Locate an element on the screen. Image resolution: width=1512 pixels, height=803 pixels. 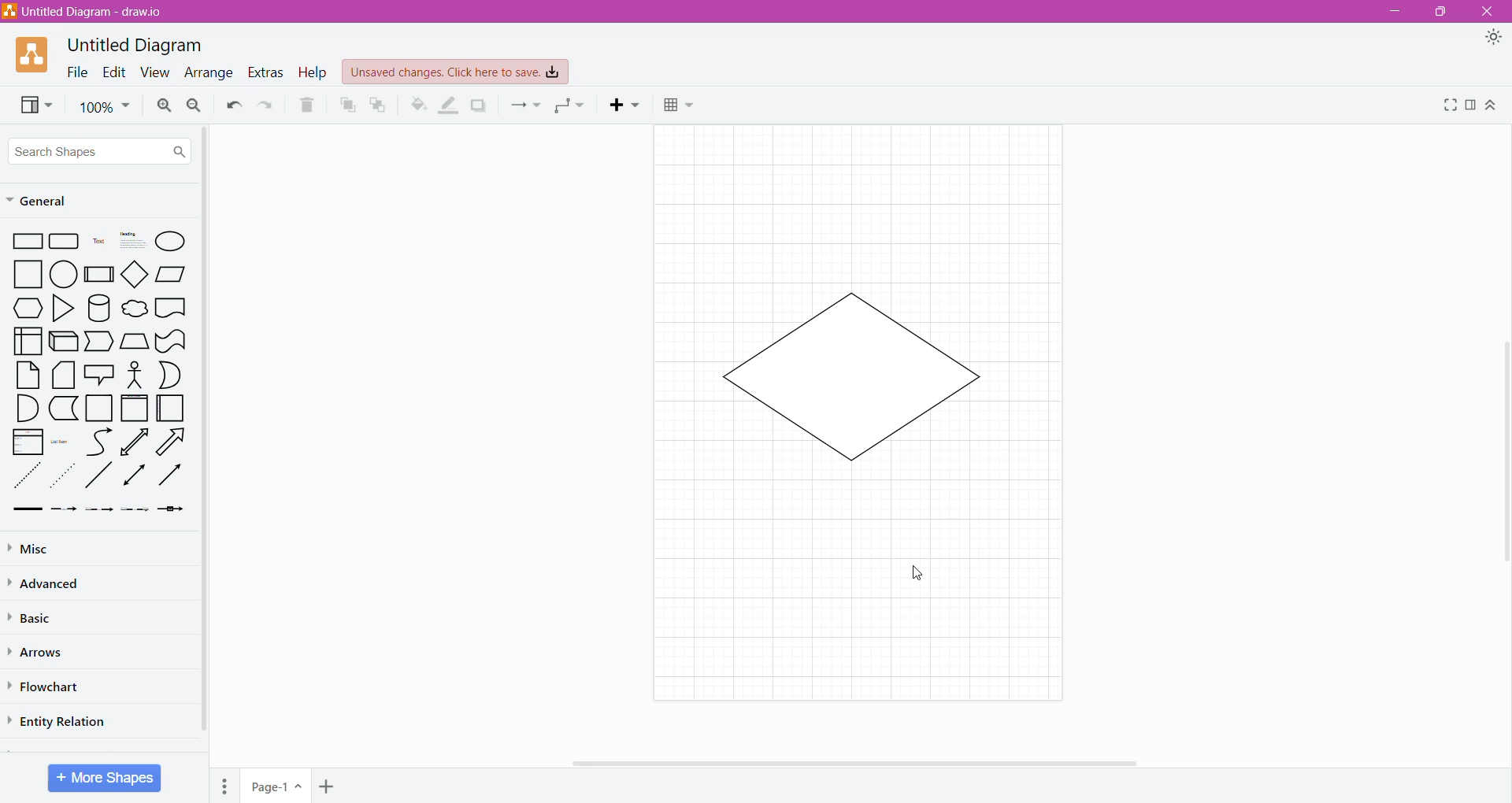
Horizontal Scroll Bar is located at coordinates (806, 766).